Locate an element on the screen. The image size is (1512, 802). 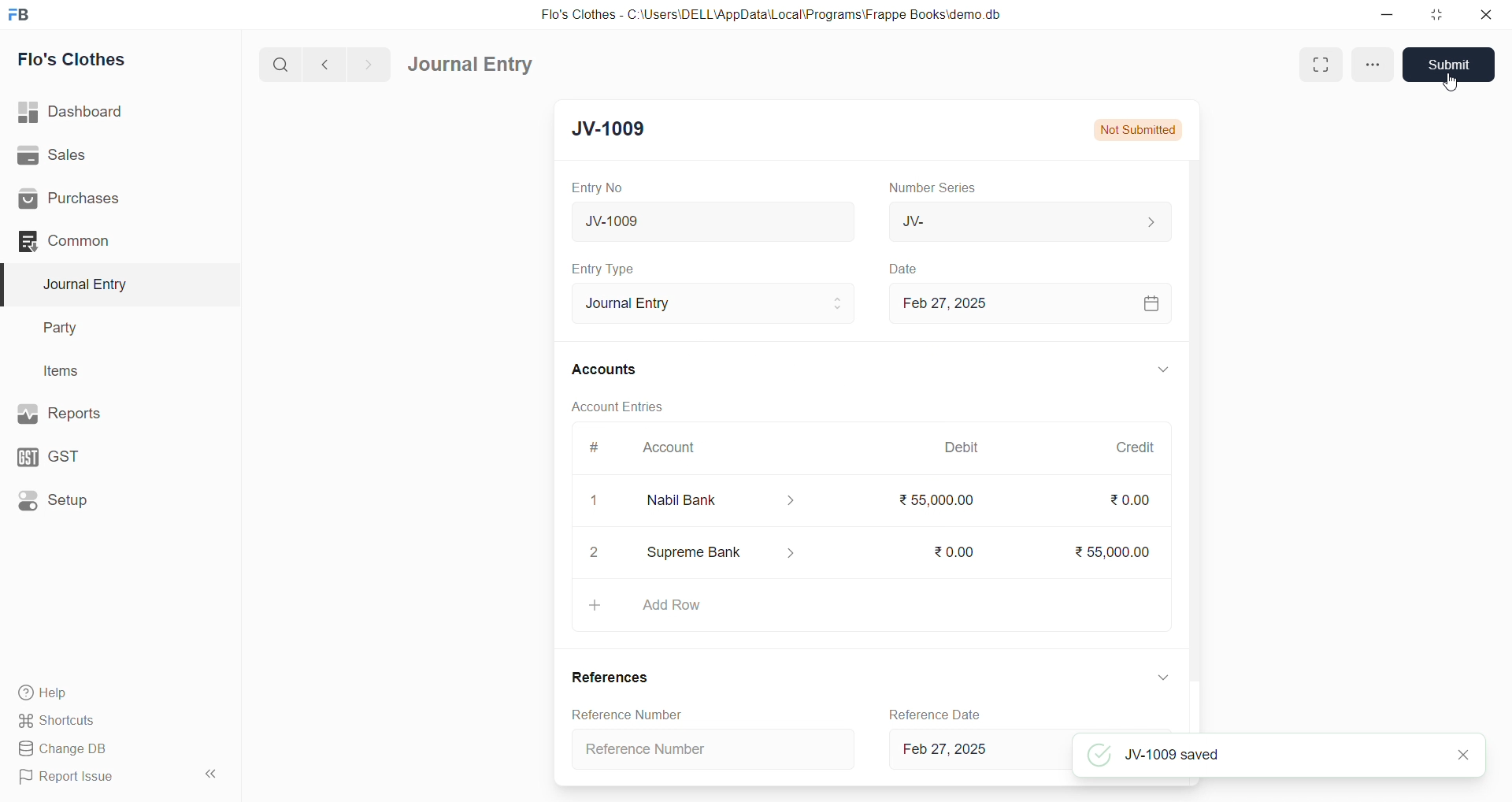
Supreme Bank is located at coordinates (724, 555).